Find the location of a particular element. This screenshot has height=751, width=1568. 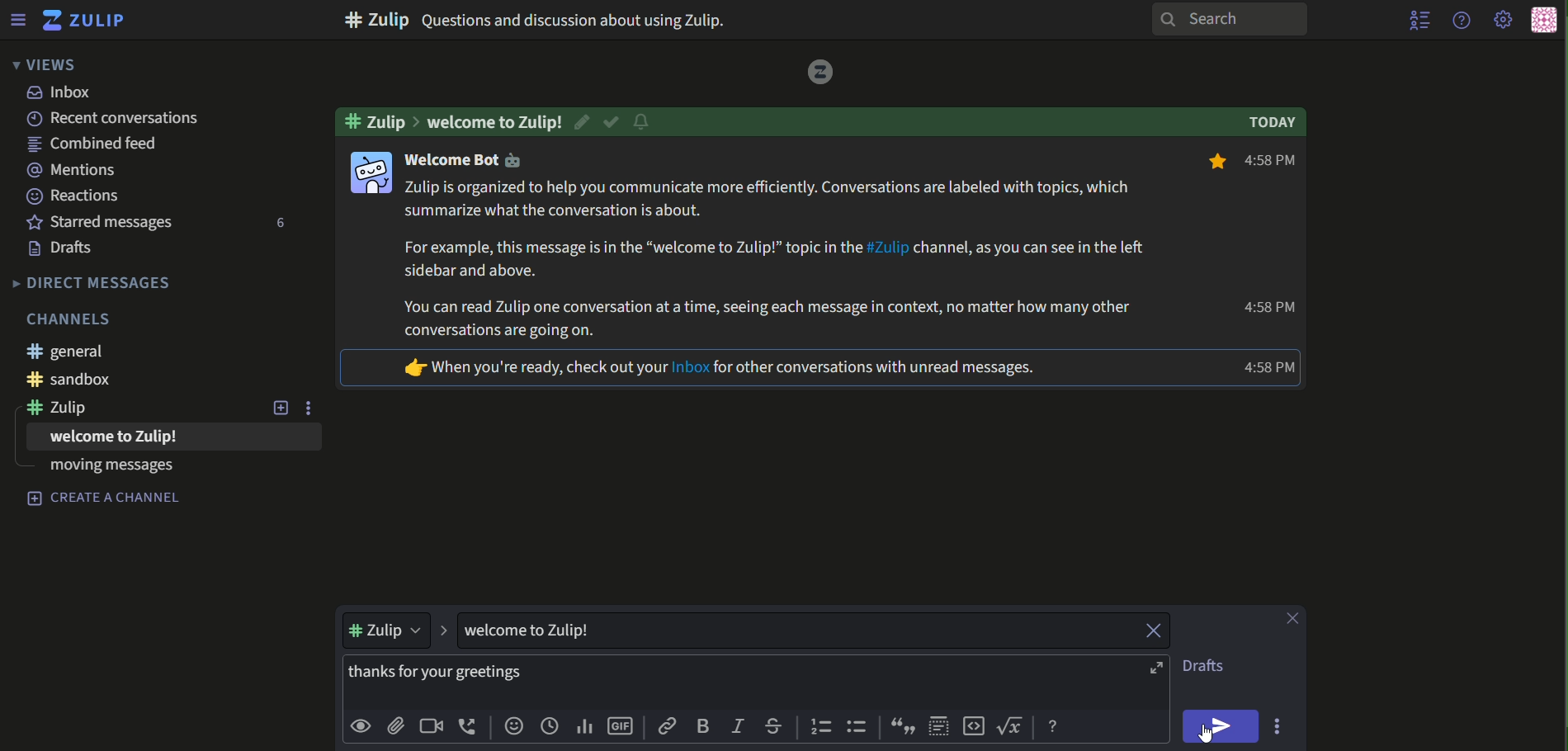

new is located at coordinates (281, 409).